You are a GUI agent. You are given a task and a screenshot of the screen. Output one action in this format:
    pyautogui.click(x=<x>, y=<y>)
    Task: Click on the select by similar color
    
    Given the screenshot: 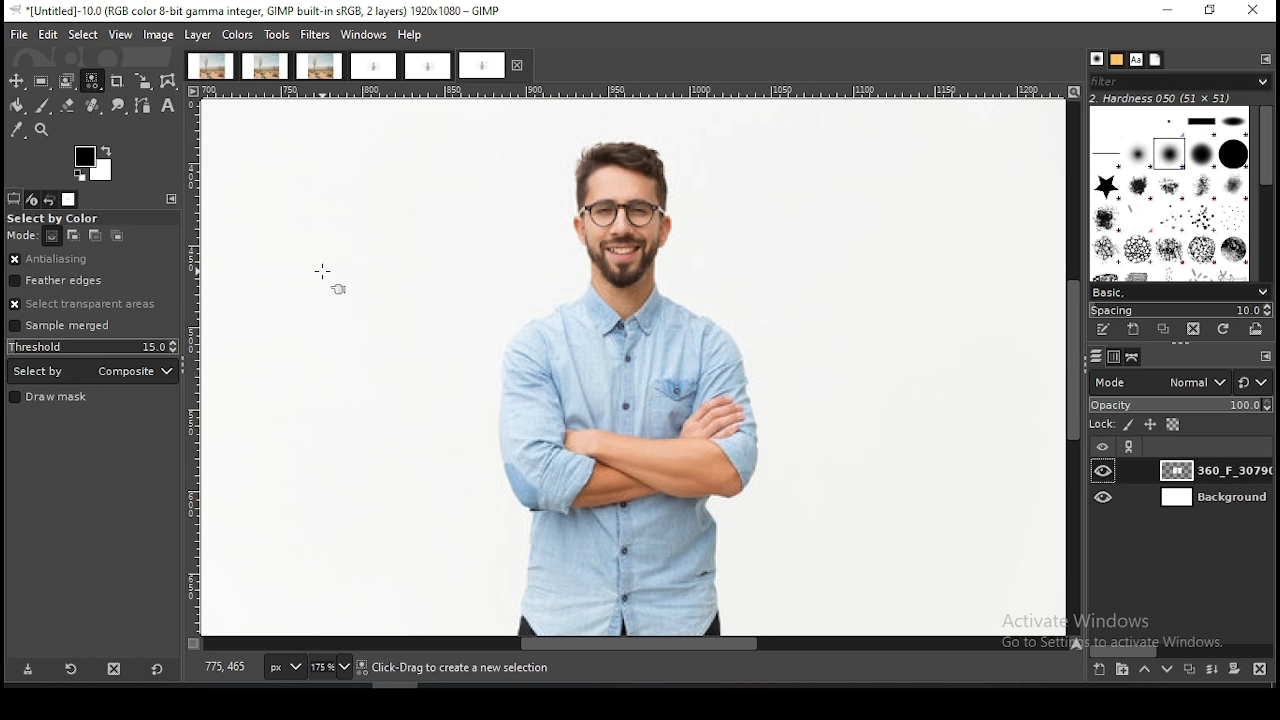 What is the action you would take?
    pyautogui.click(x=92, y=81)
    